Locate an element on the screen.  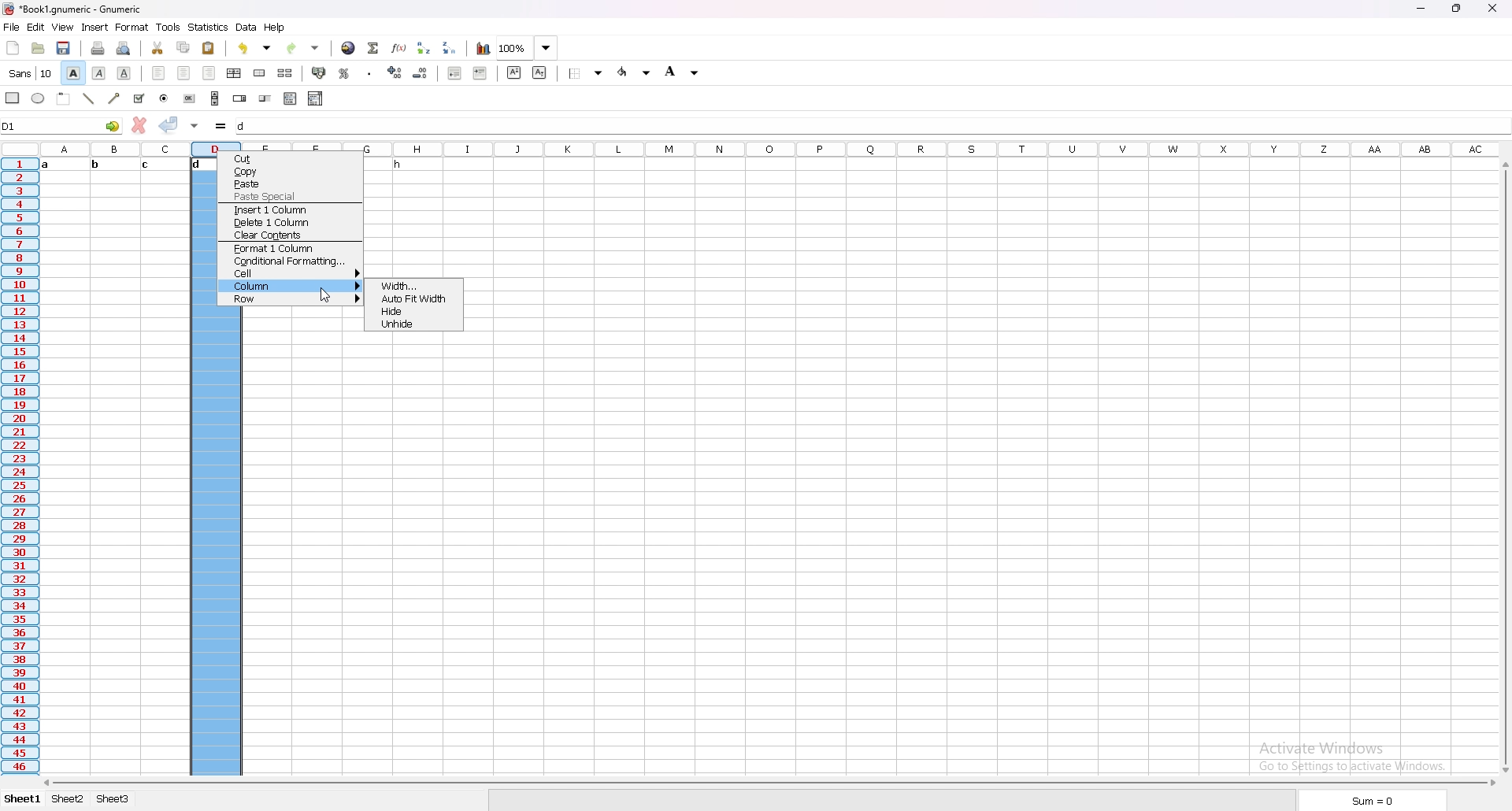
cut is located at coordinates (288, 159).